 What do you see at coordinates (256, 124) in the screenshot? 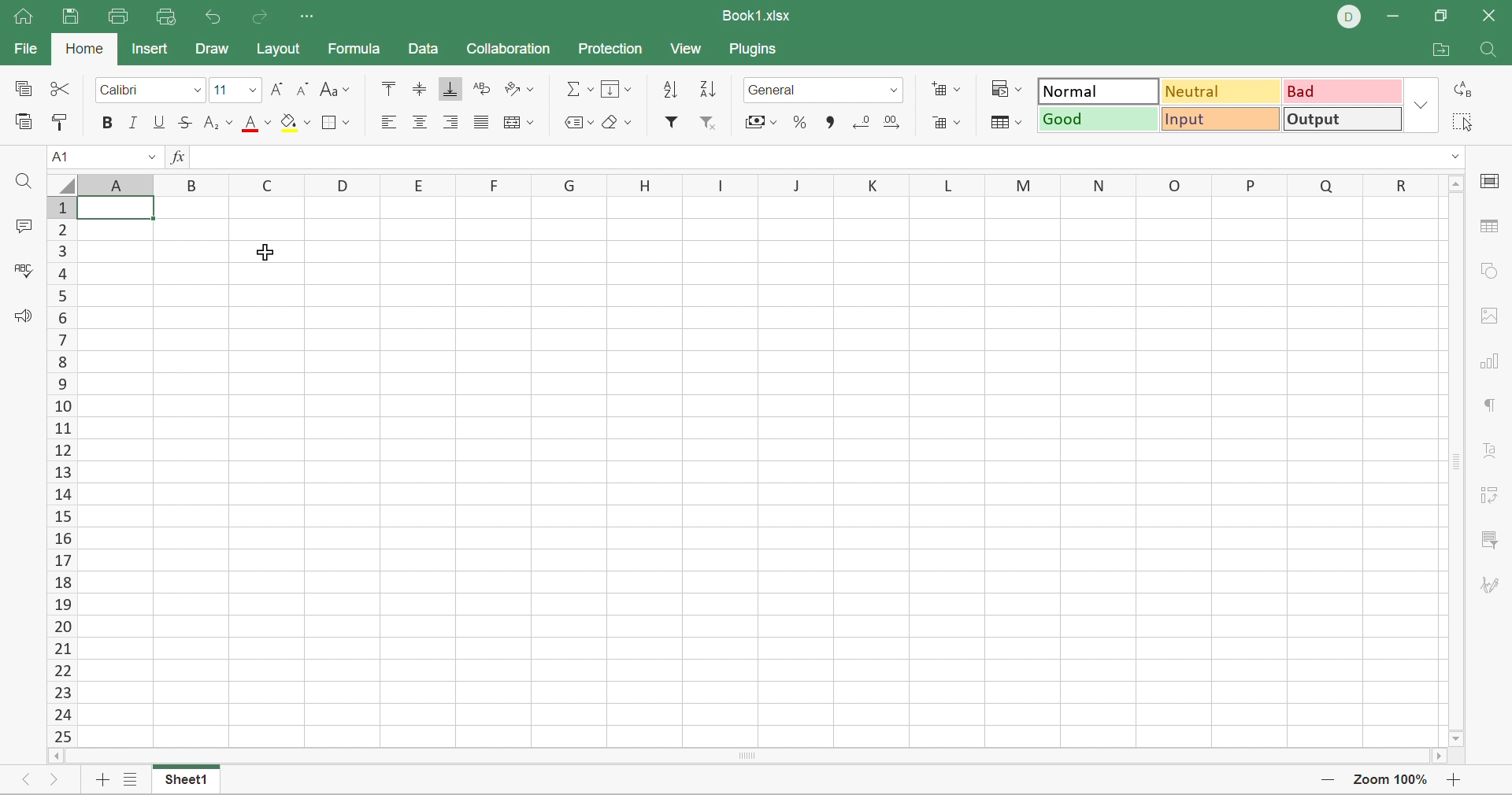
I see `Font color` at bounding box center [256, 124].